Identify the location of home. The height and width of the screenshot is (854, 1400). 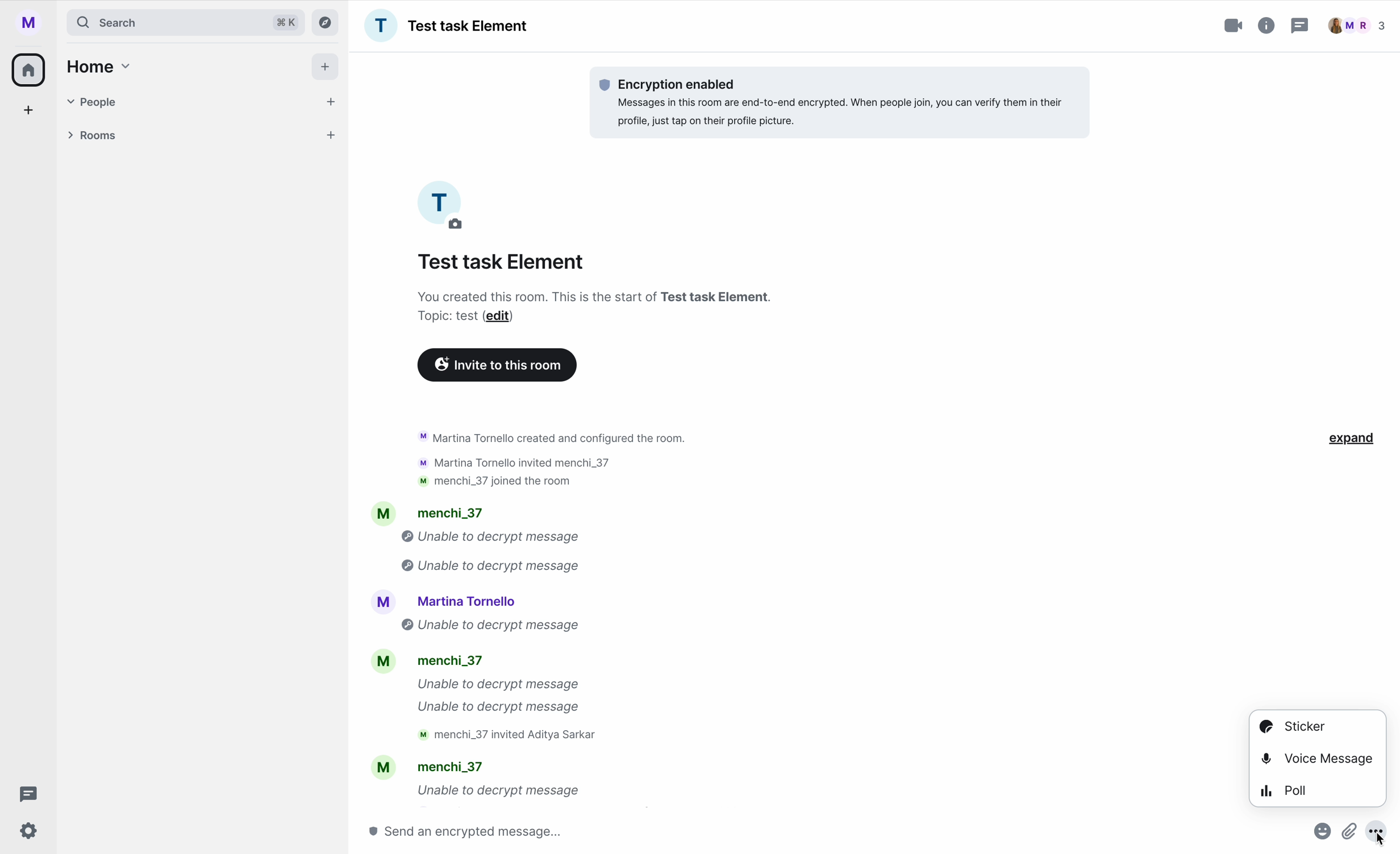
(96, 66).